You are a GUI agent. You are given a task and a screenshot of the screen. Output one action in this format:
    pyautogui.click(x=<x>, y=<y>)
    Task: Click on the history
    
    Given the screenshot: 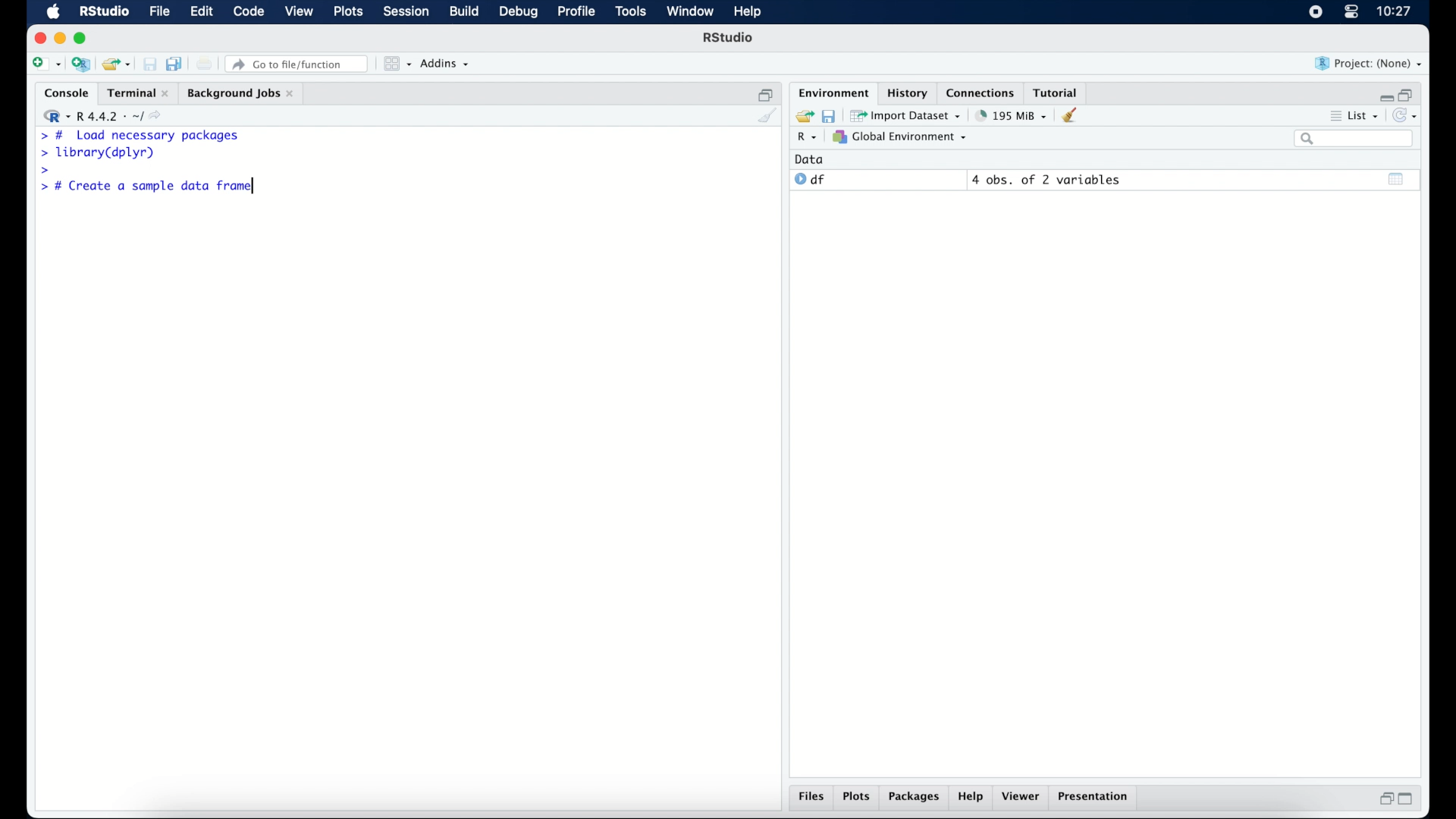 What is the action you would take?
    pyautogui.click(x=906, y=92)
    